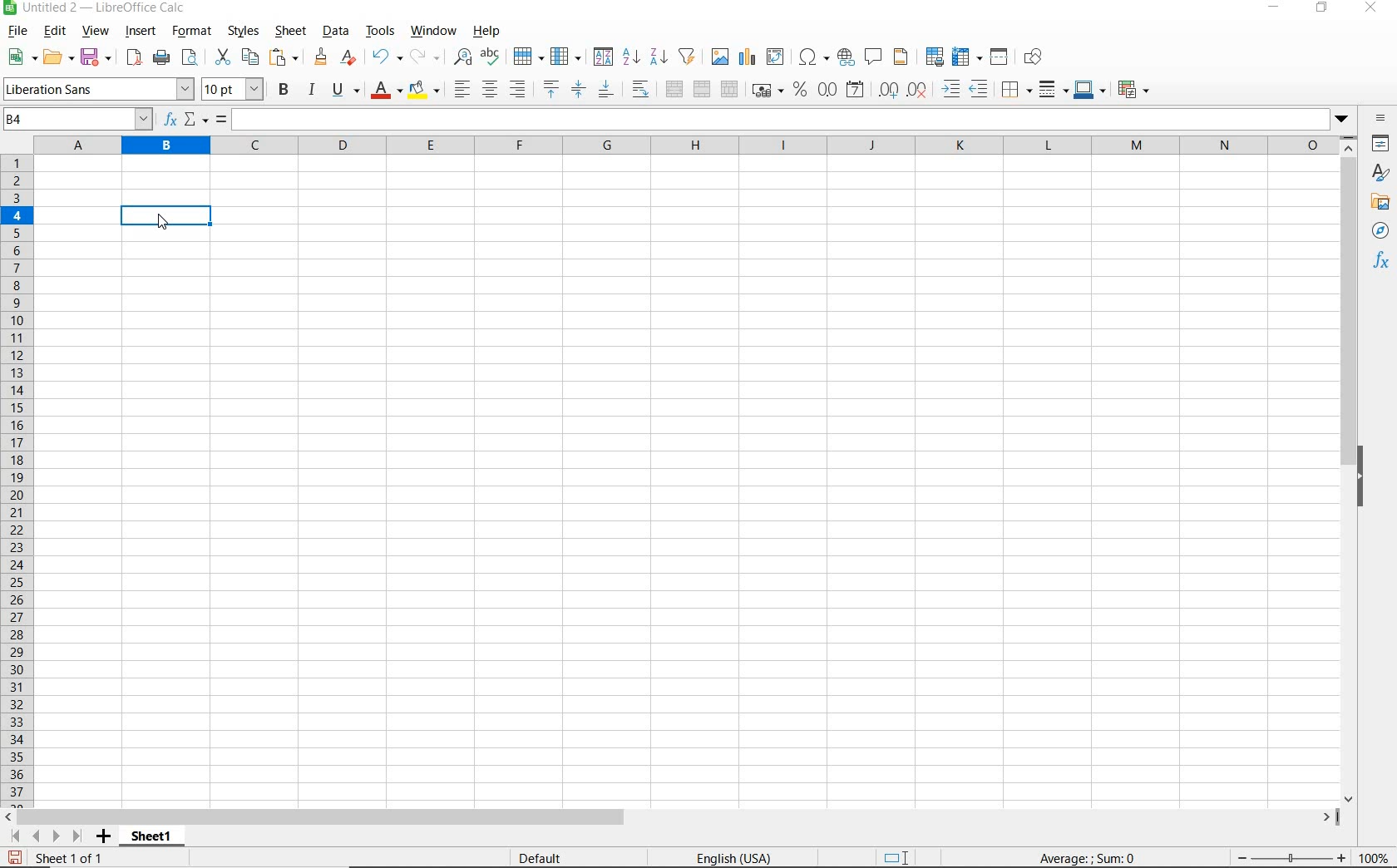  Describe the element at coordinates (423, 91) in the screenshot. I see `background color` at that location.